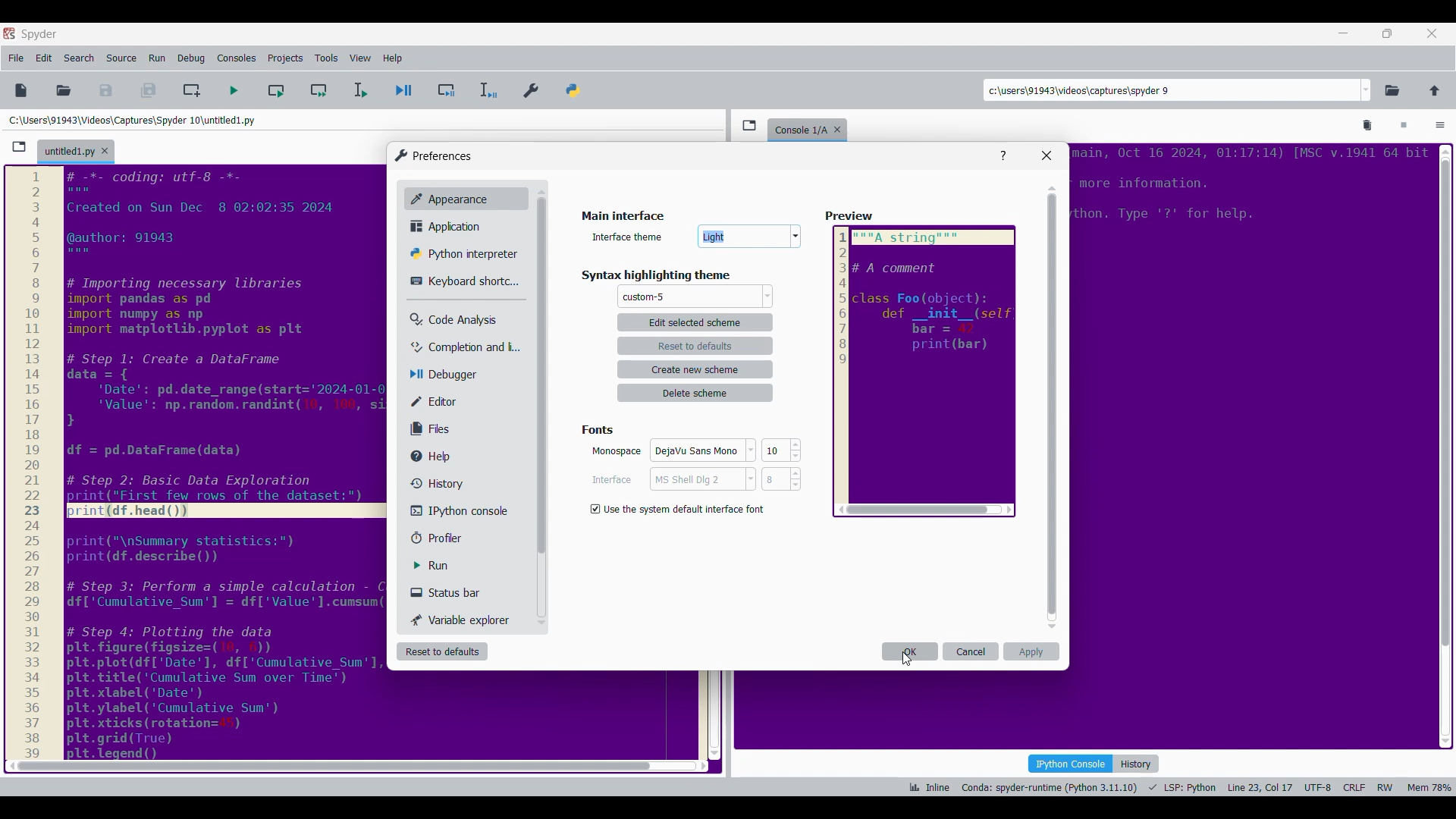 This screenshot has height=819, width=1456. I want to click on scroll bar, so click(1444, 442).